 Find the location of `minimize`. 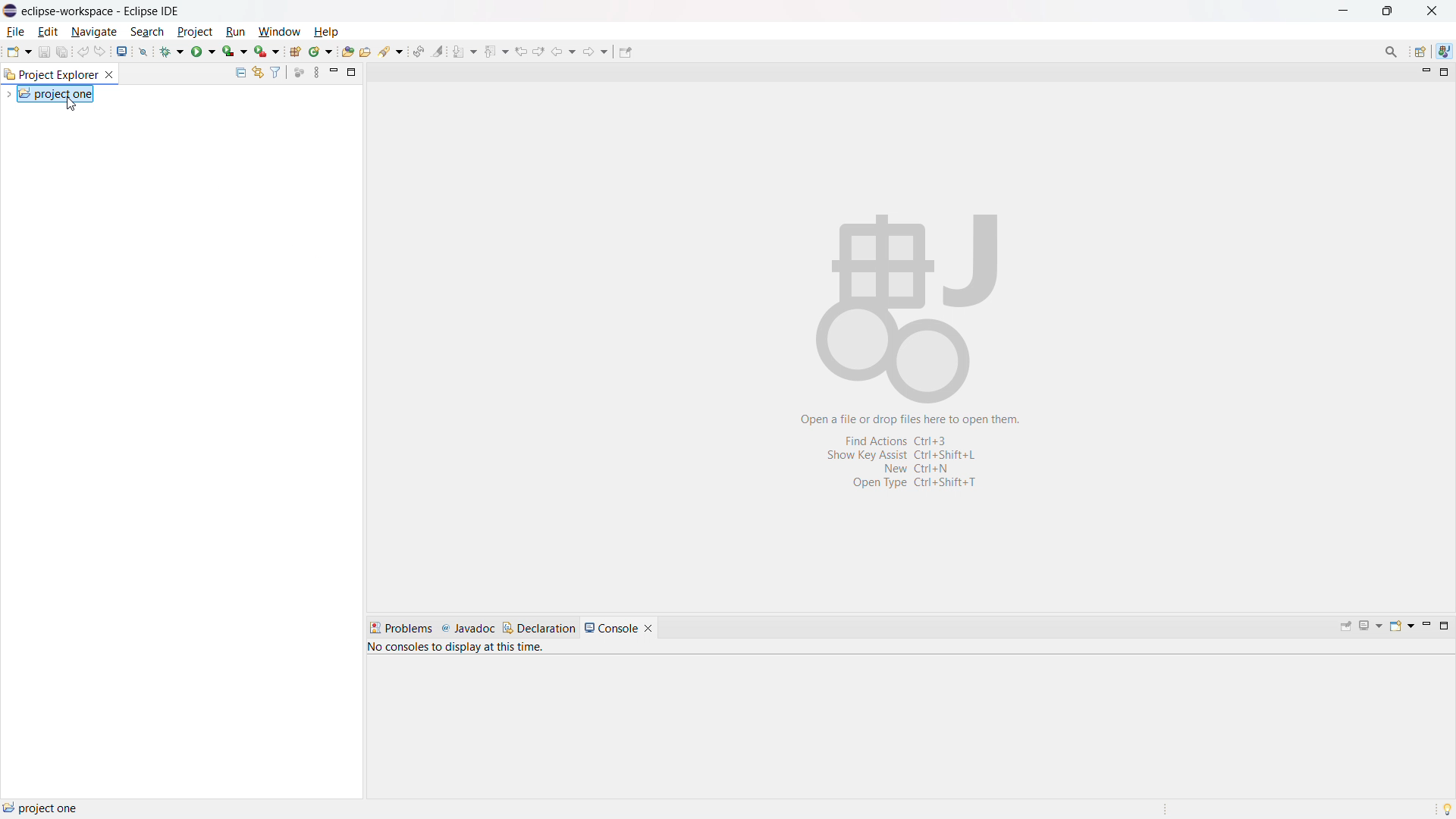

minimize is located at coordinates (334, 72).